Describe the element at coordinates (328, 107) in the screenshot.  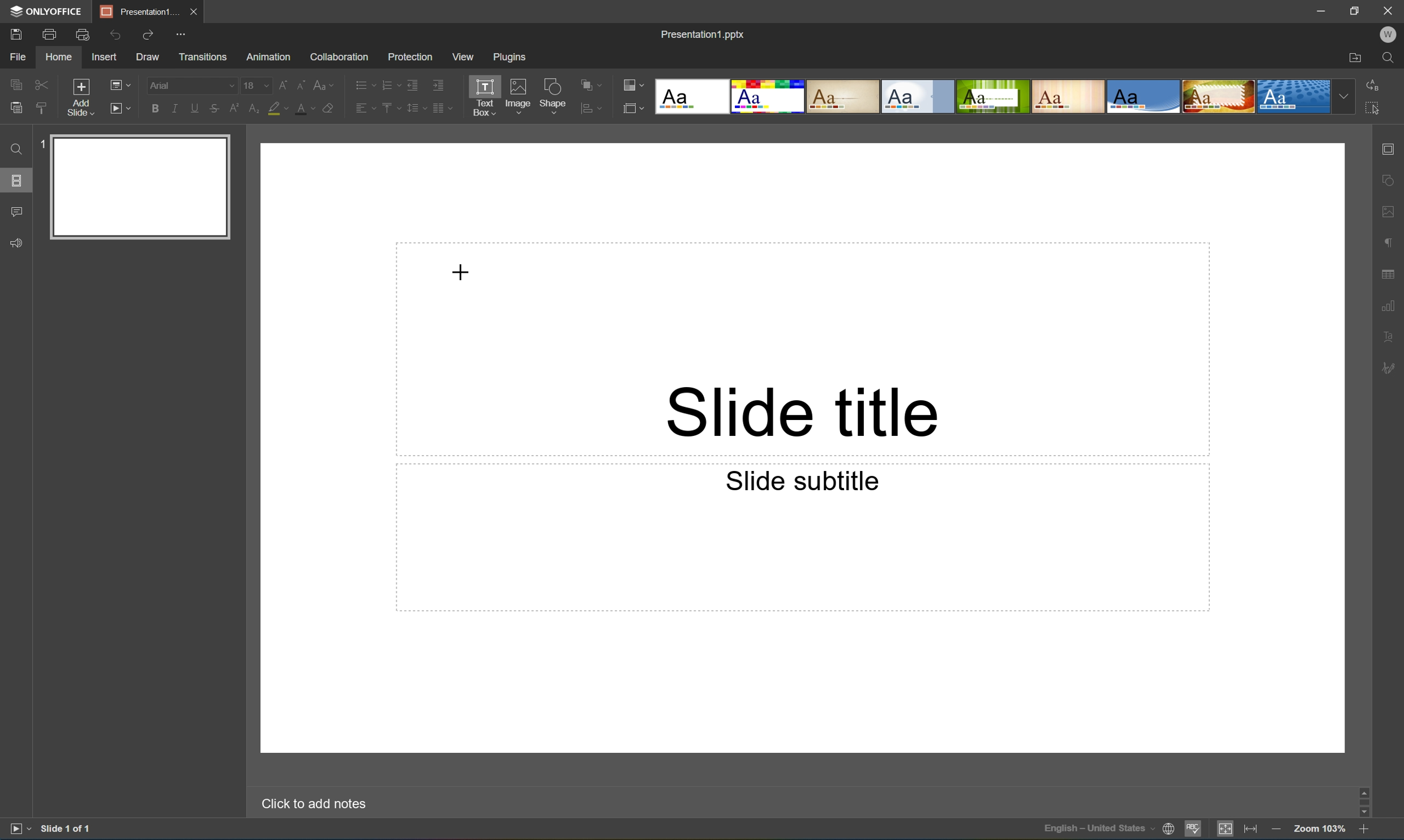
I see `Clear style` at that location.